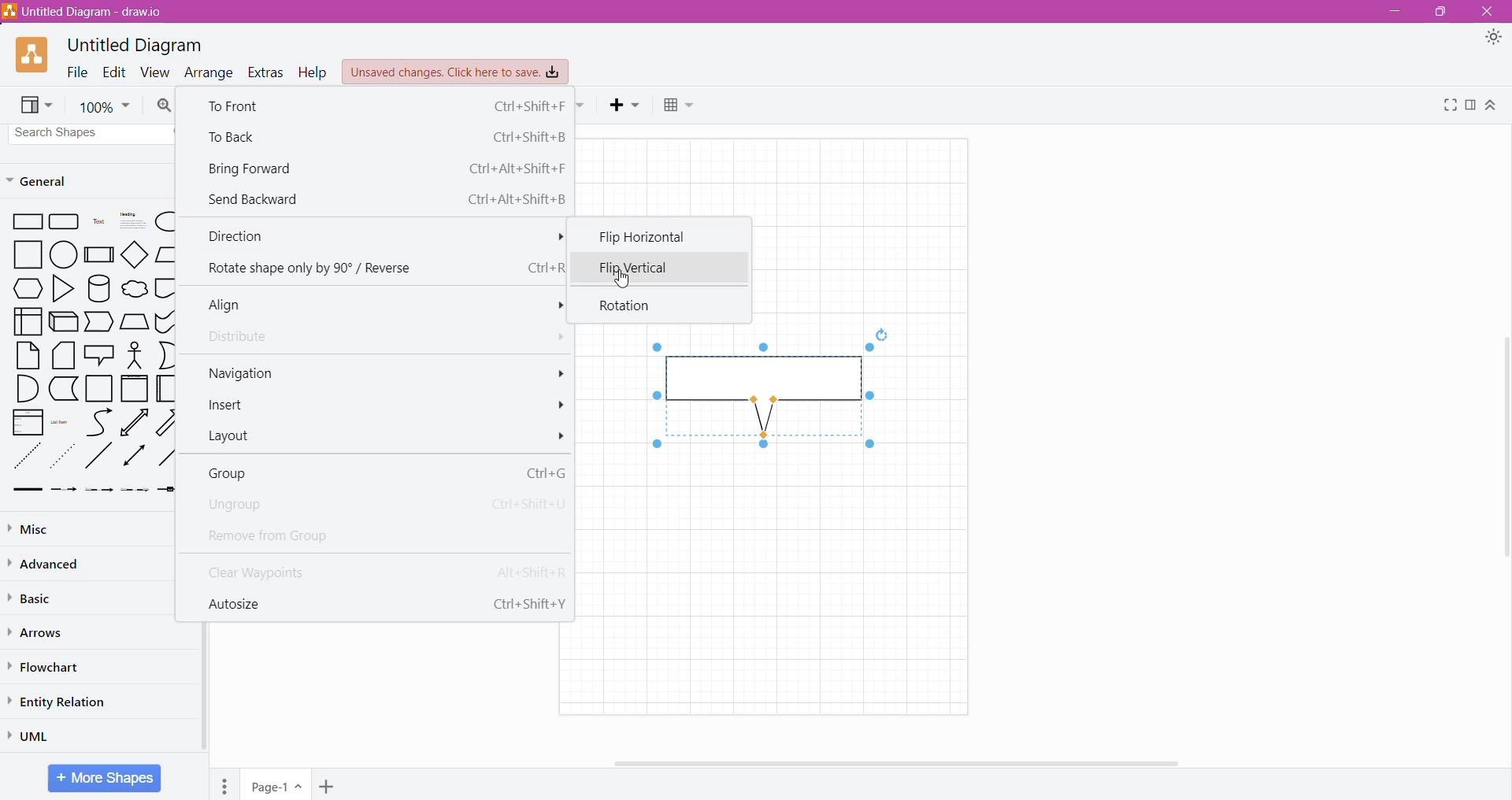 The image size is (1512, 800). I want to click on Distribute, so click(244, 338).